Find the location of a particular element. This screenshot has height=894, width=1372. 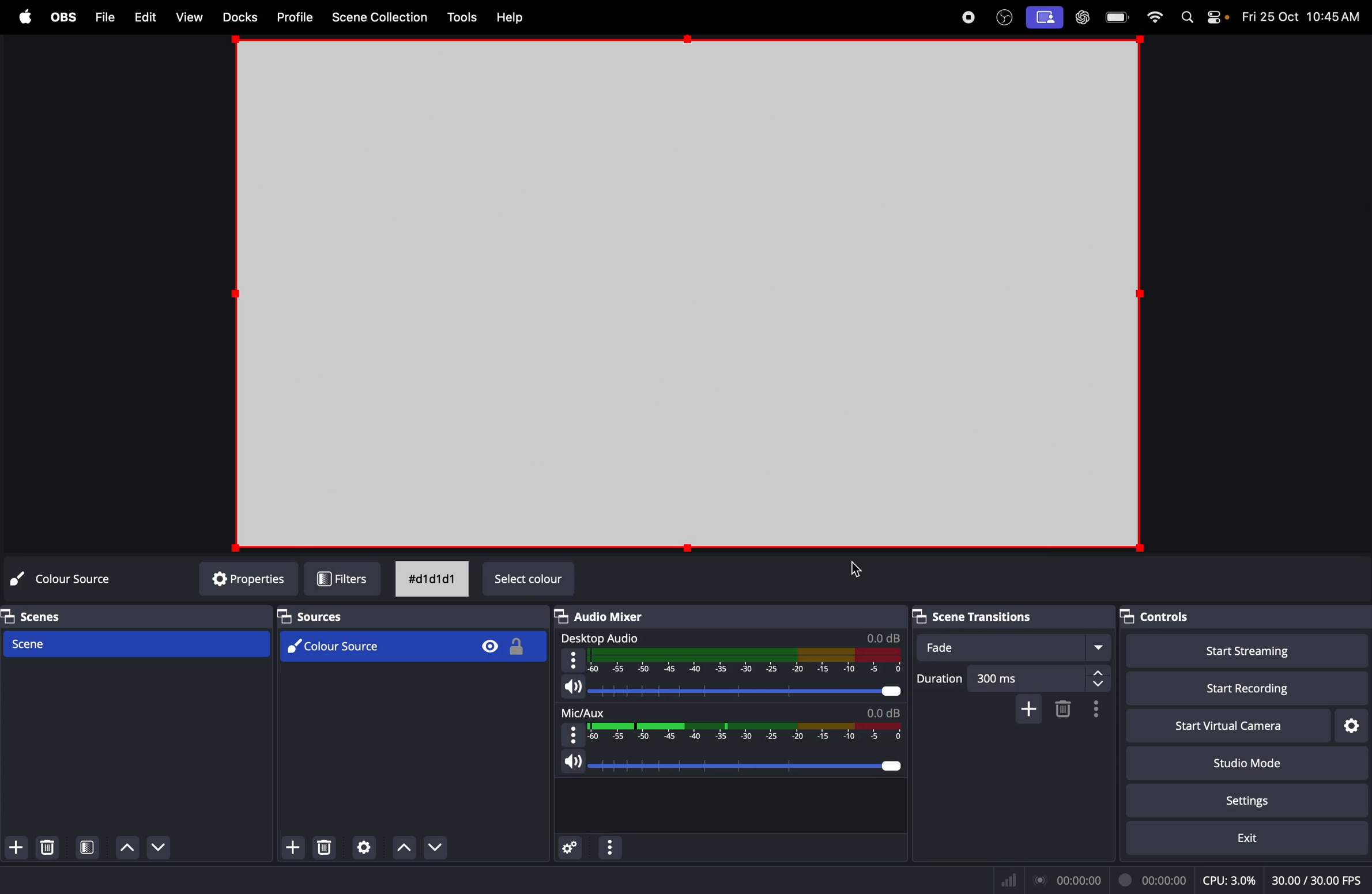

time and date is located at coordinates (1302, 14).